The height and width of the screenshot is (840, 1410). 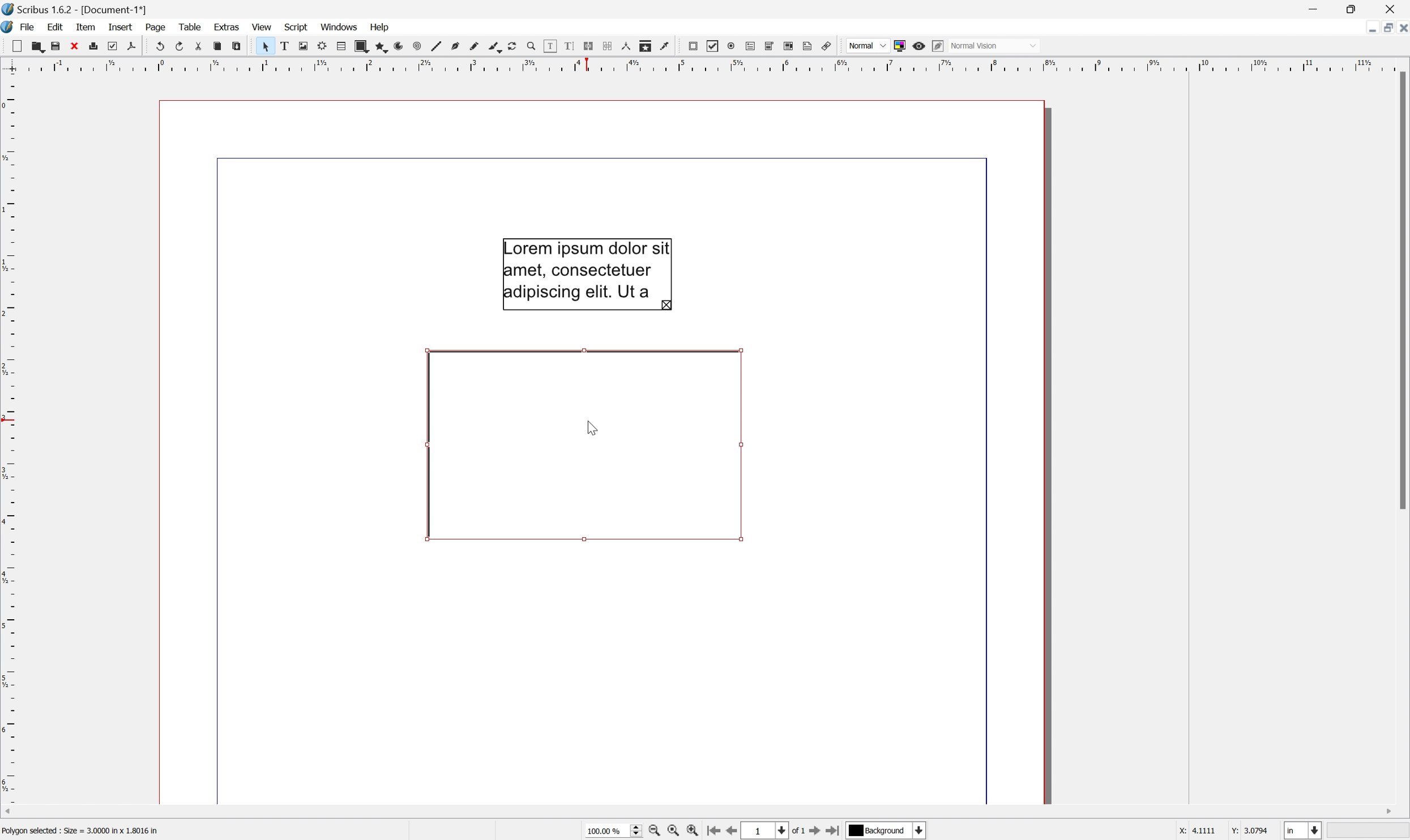 I want to click on Restore down, so click(x=1383, y=27).